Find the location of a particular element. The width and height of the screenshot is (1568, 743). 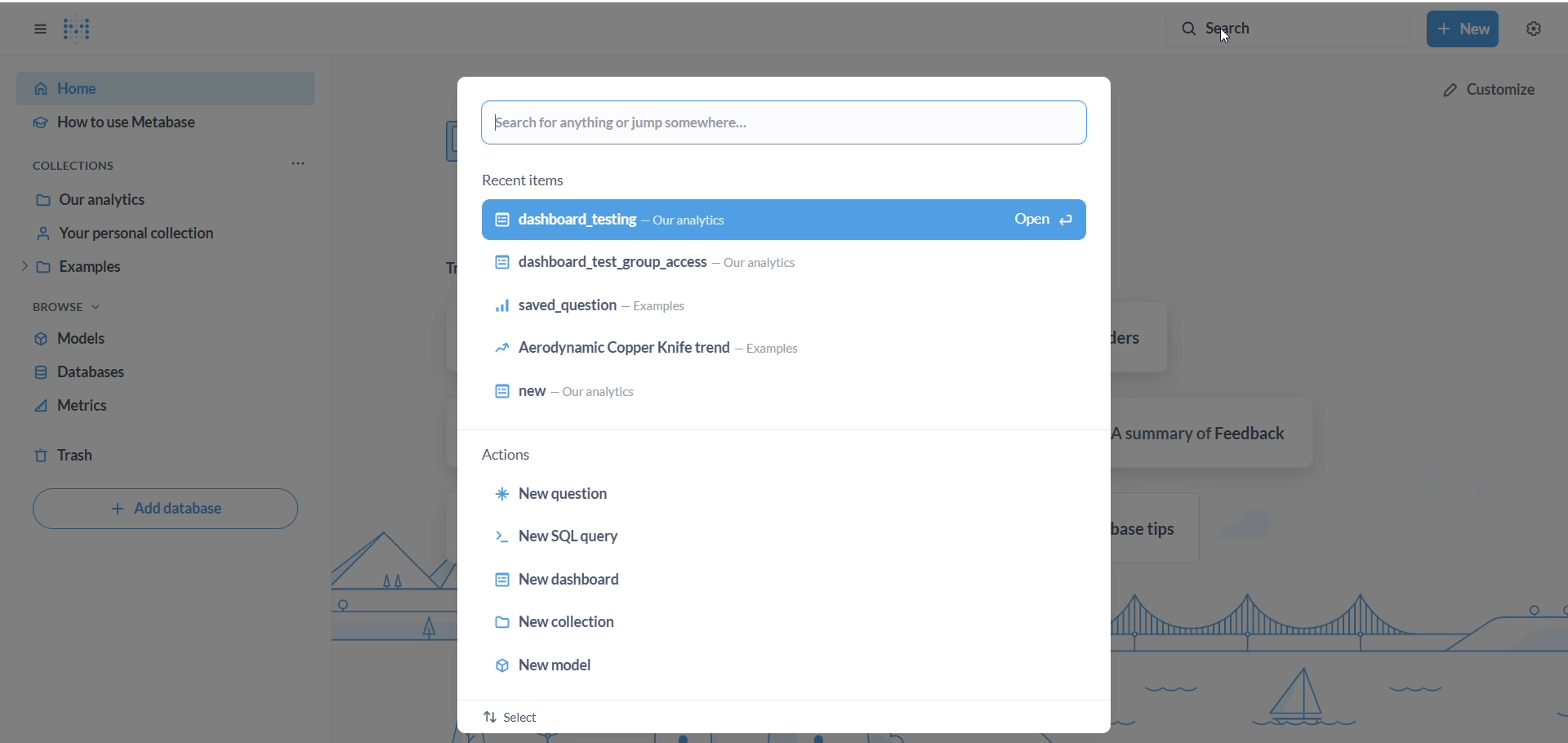

add database is located at coordinates (166, 510).